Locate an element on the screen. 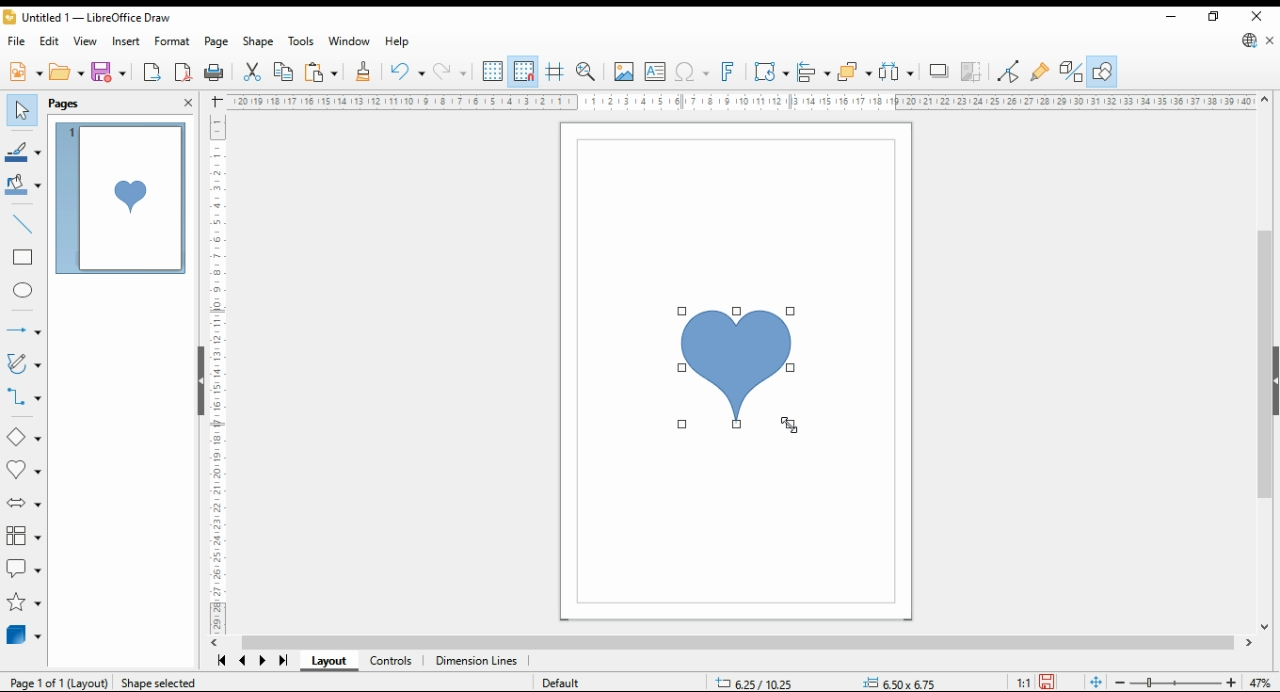 The image size is (1280, 692). previous page is located at coordinates (243, 663).